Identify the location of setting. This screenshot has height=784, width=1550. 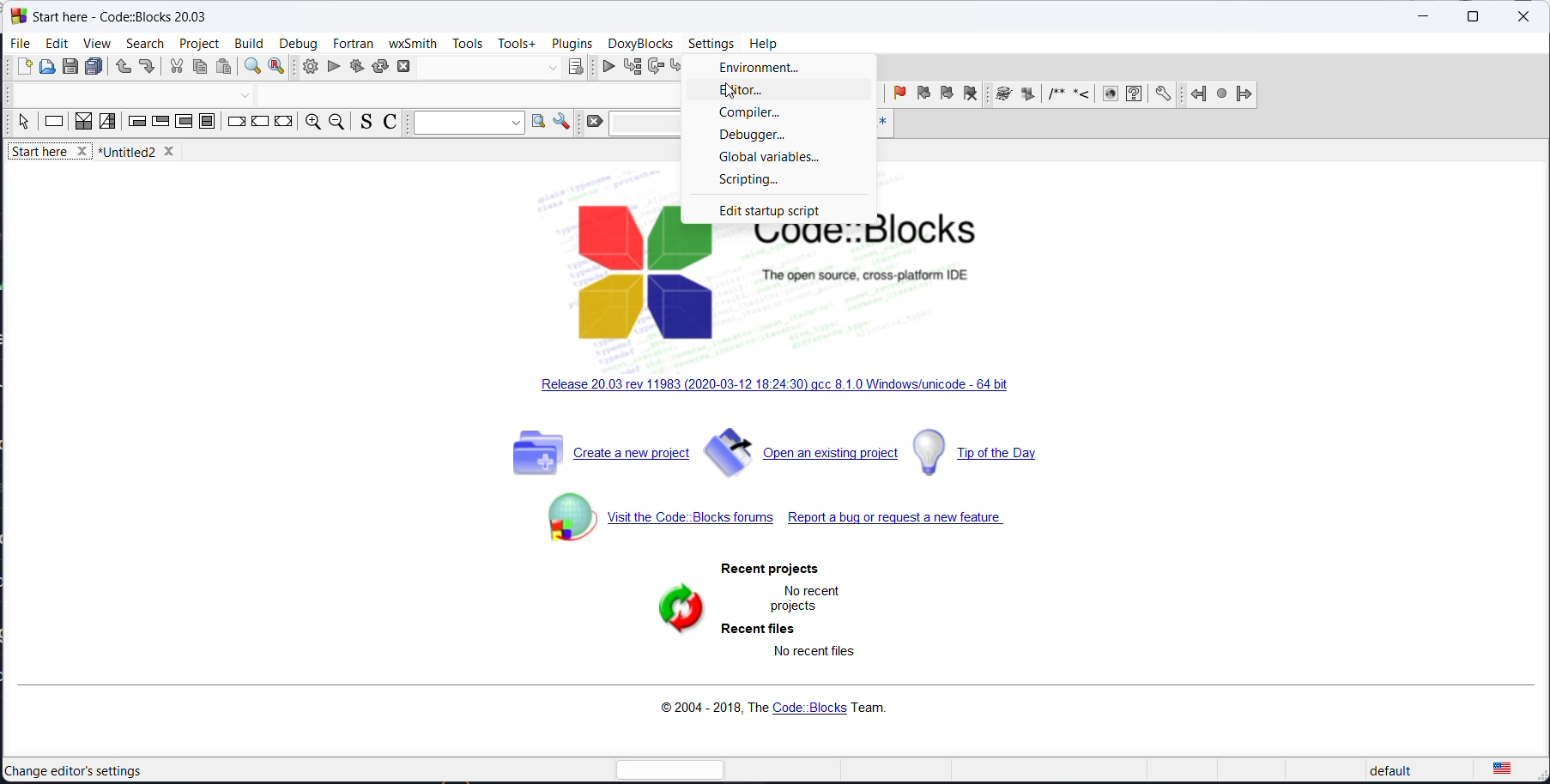
(561, 122).